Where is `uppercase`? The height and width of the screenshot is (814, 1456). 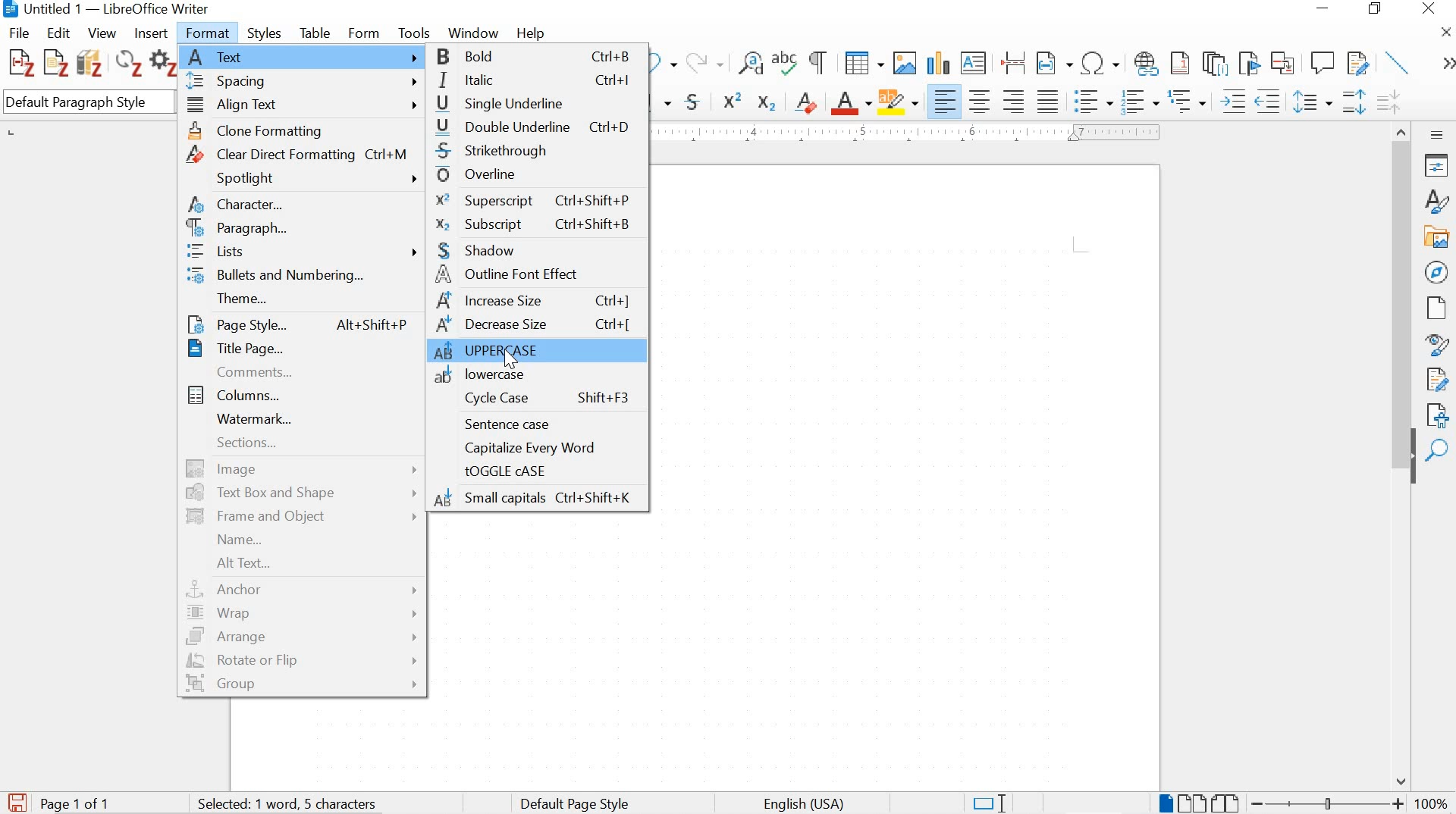
uppercase is located at coordinates (542, 351).